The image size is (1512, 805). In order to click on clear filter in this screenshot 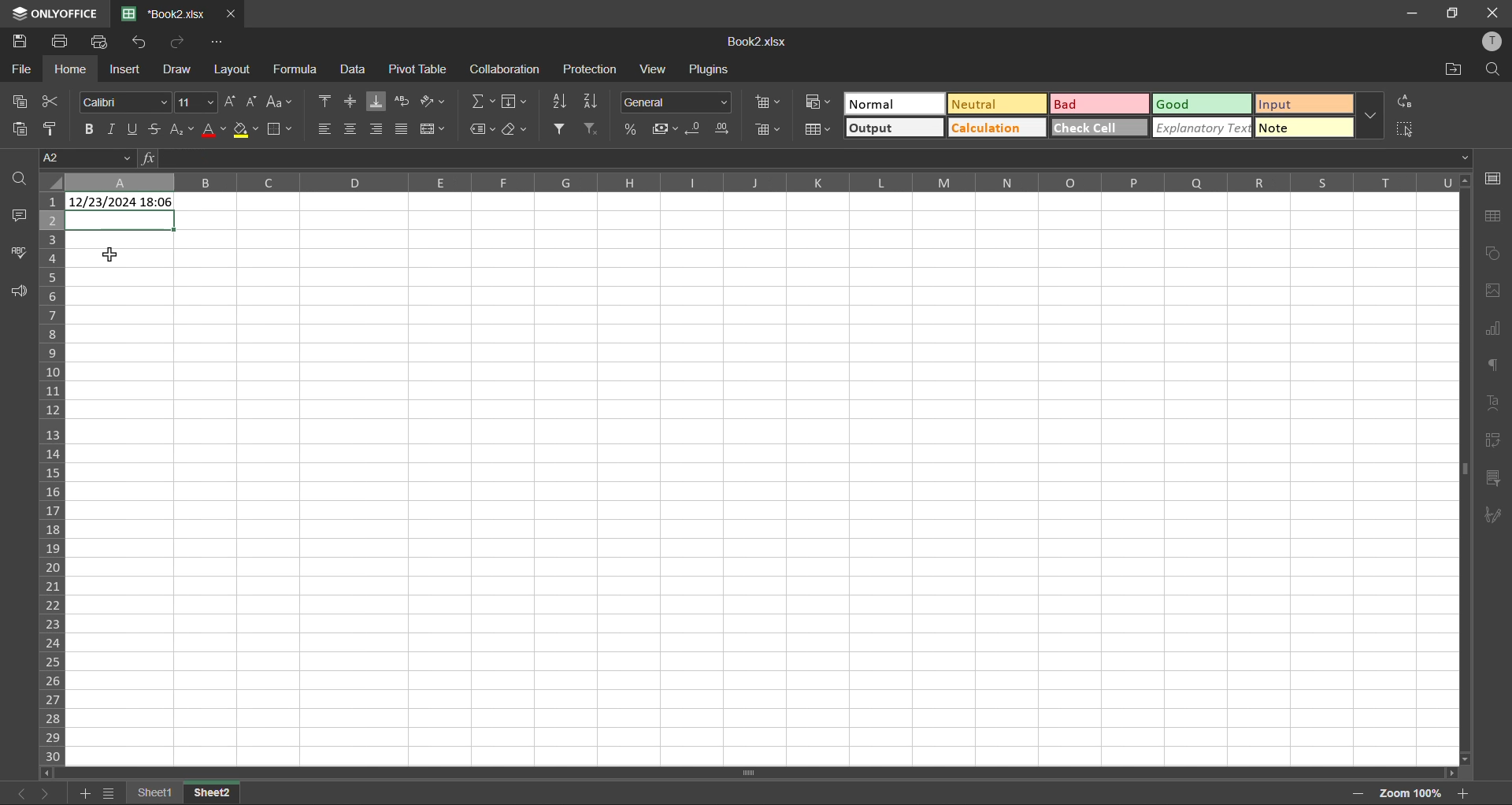, I will do `click(592, 127)`.